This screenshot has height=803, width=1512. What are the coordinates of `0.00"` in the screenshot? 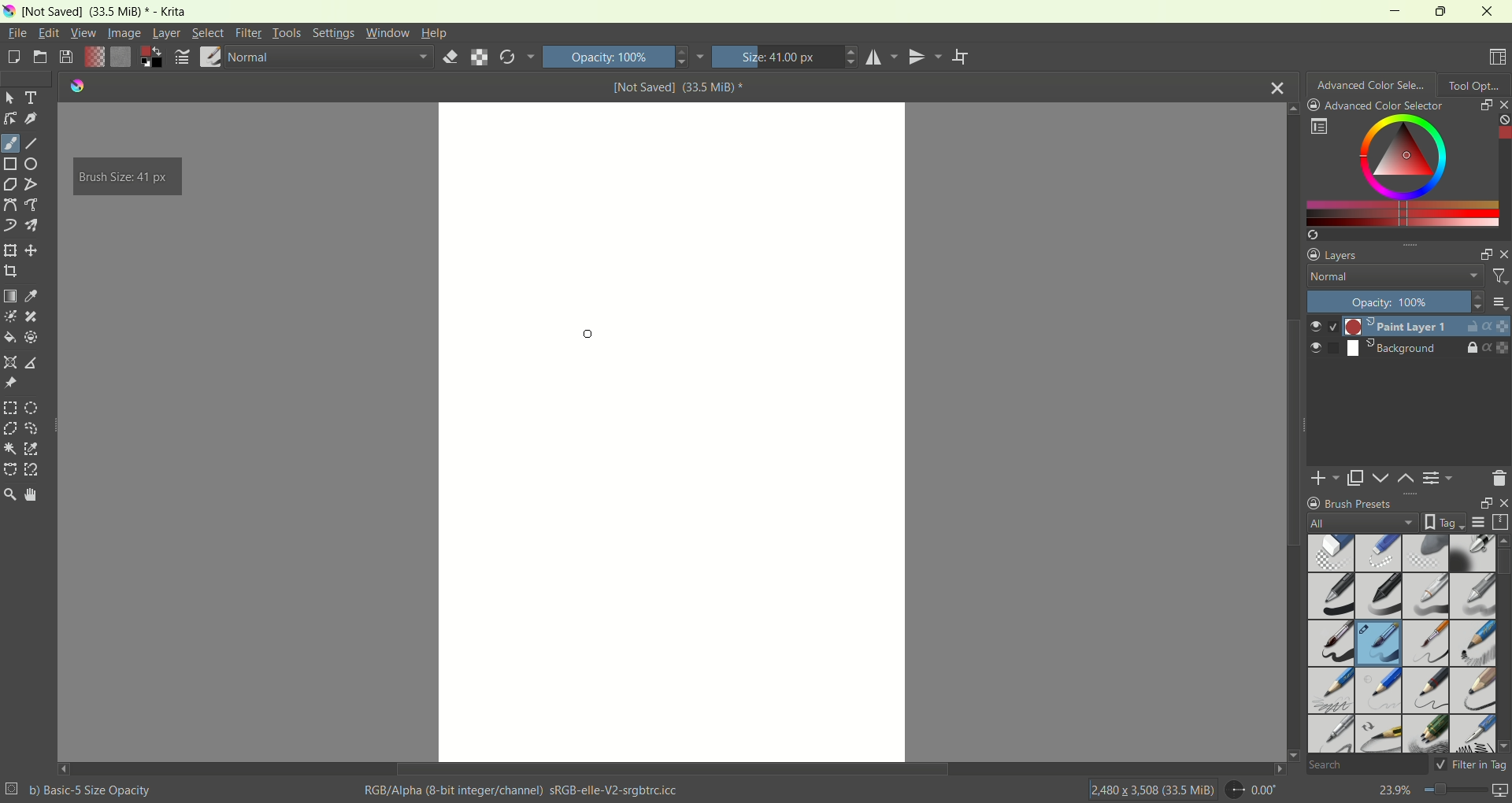 It's located at (1254, 790).